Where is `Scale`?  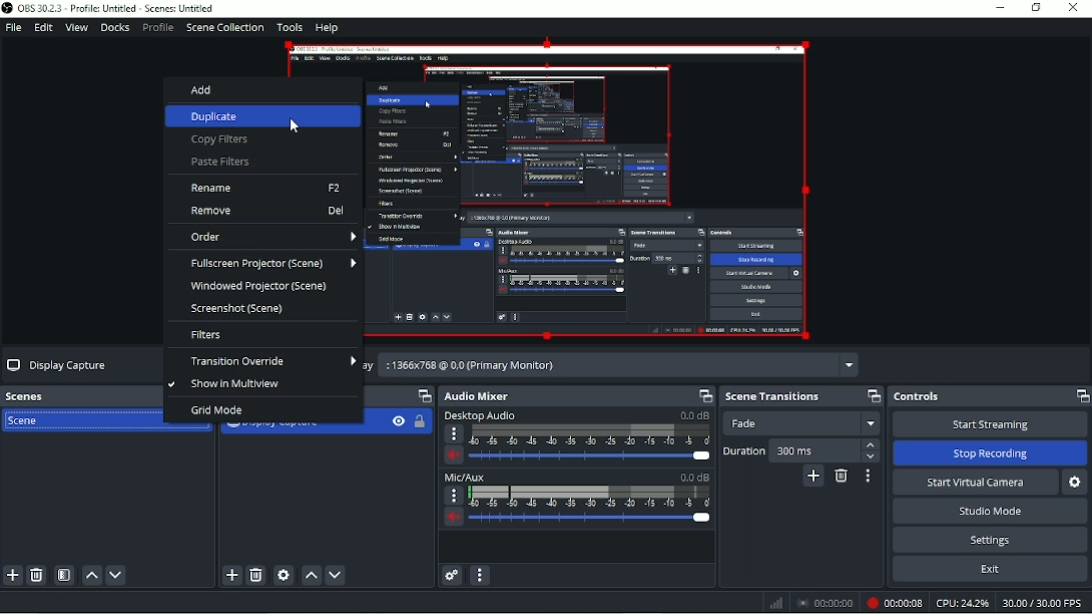
Scale is located at coordinates (589, 497).